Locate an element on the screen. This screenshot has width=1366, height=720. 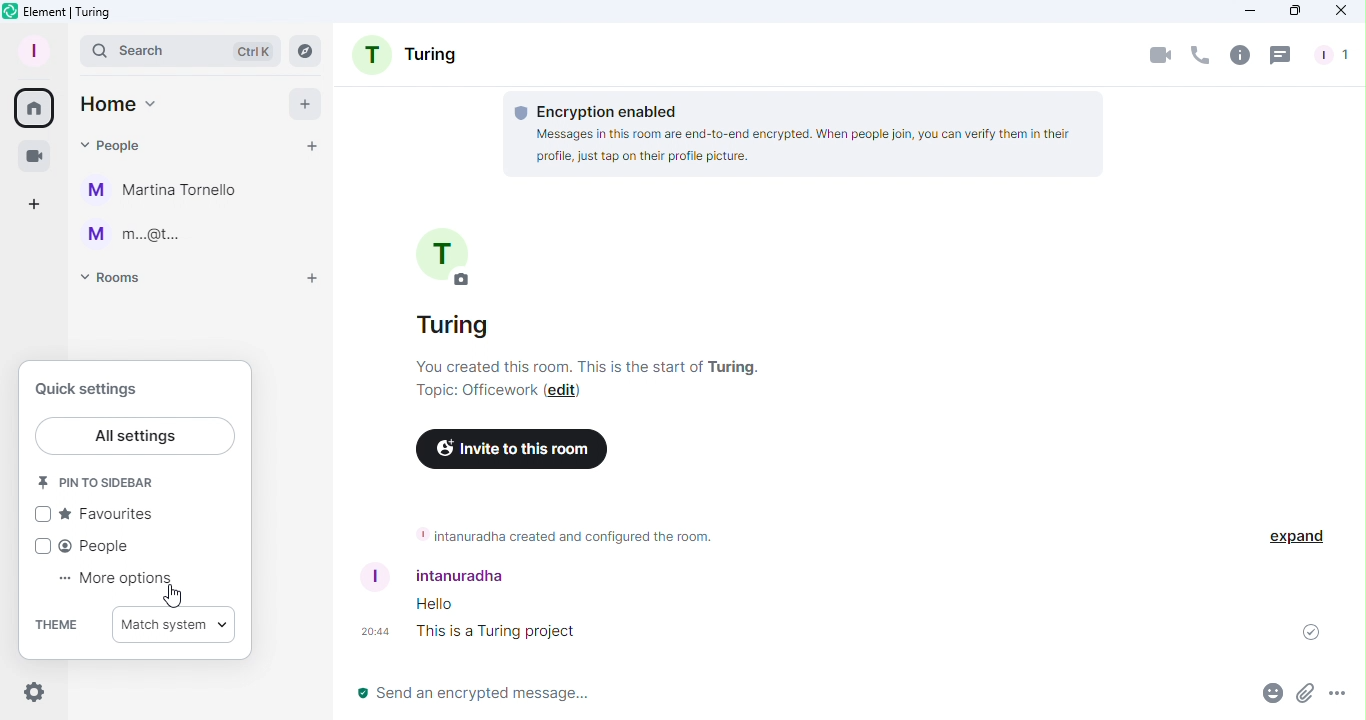
Conferences is located at coordinates (32, 152).